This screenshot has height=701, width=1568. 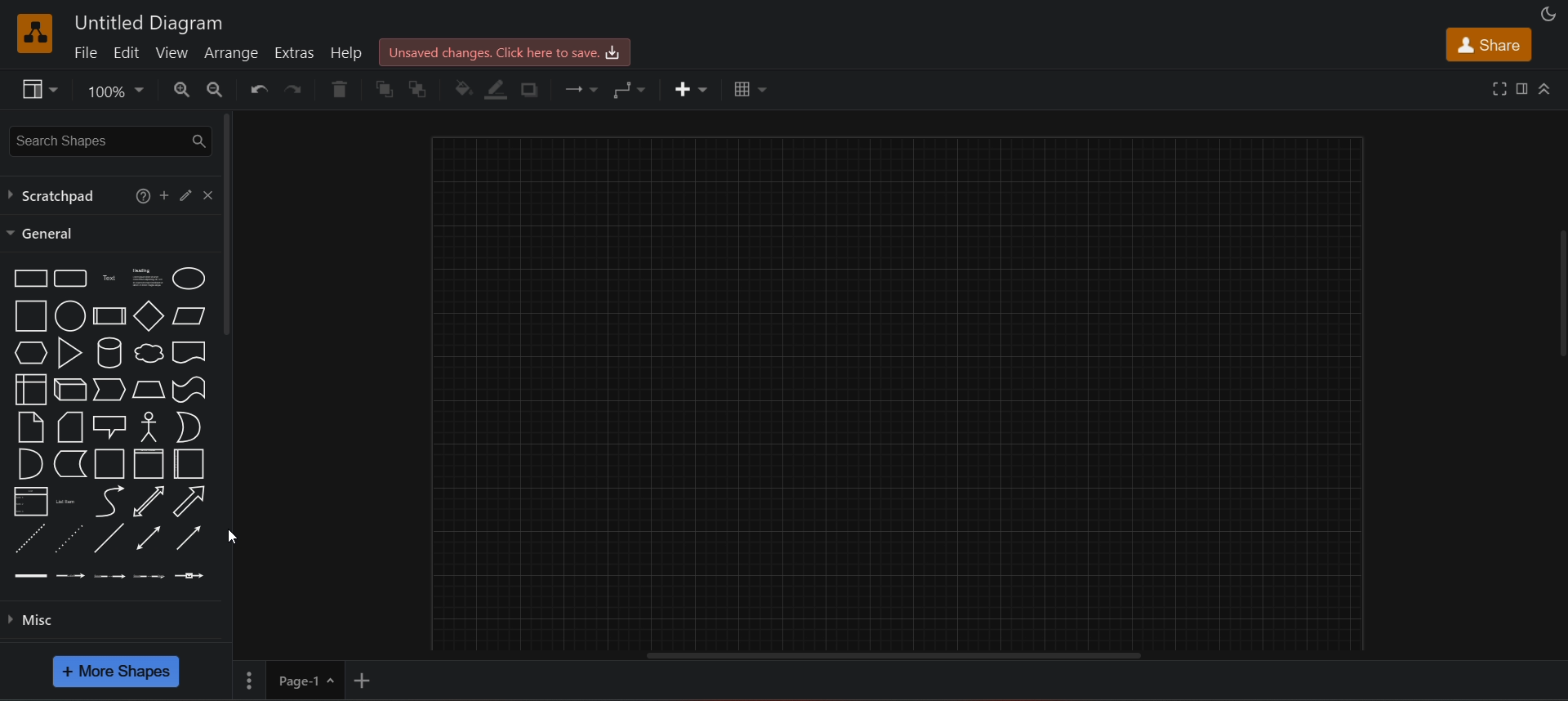 What do you see at coordinates (534, 87) in the screenshot?
I see `shadows` at bounding box center [534, 87].